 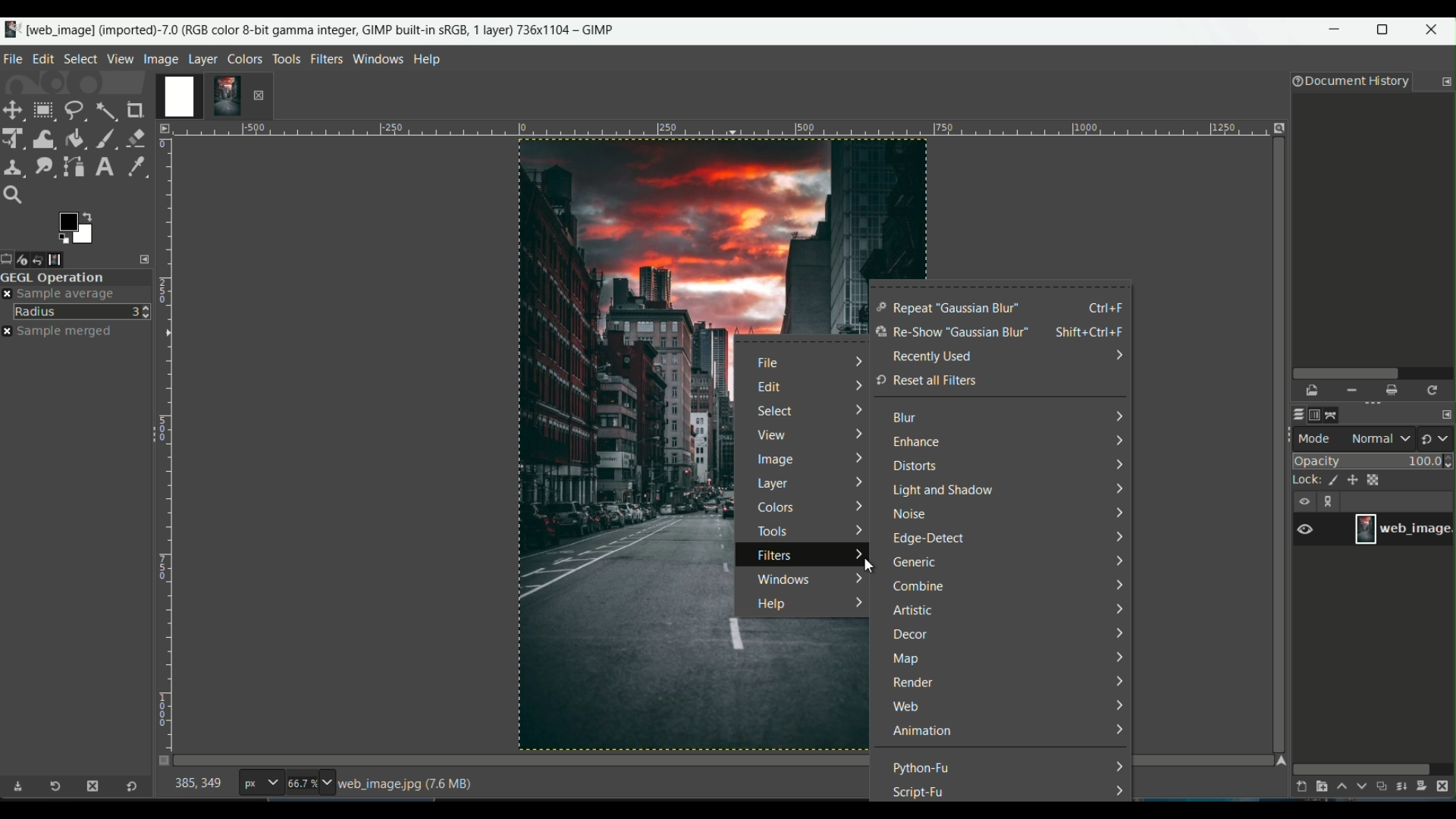 What do you see at coordinates (43, 166) in the screenshot?
I see `smudge tool` at bounding box center [43, 166].